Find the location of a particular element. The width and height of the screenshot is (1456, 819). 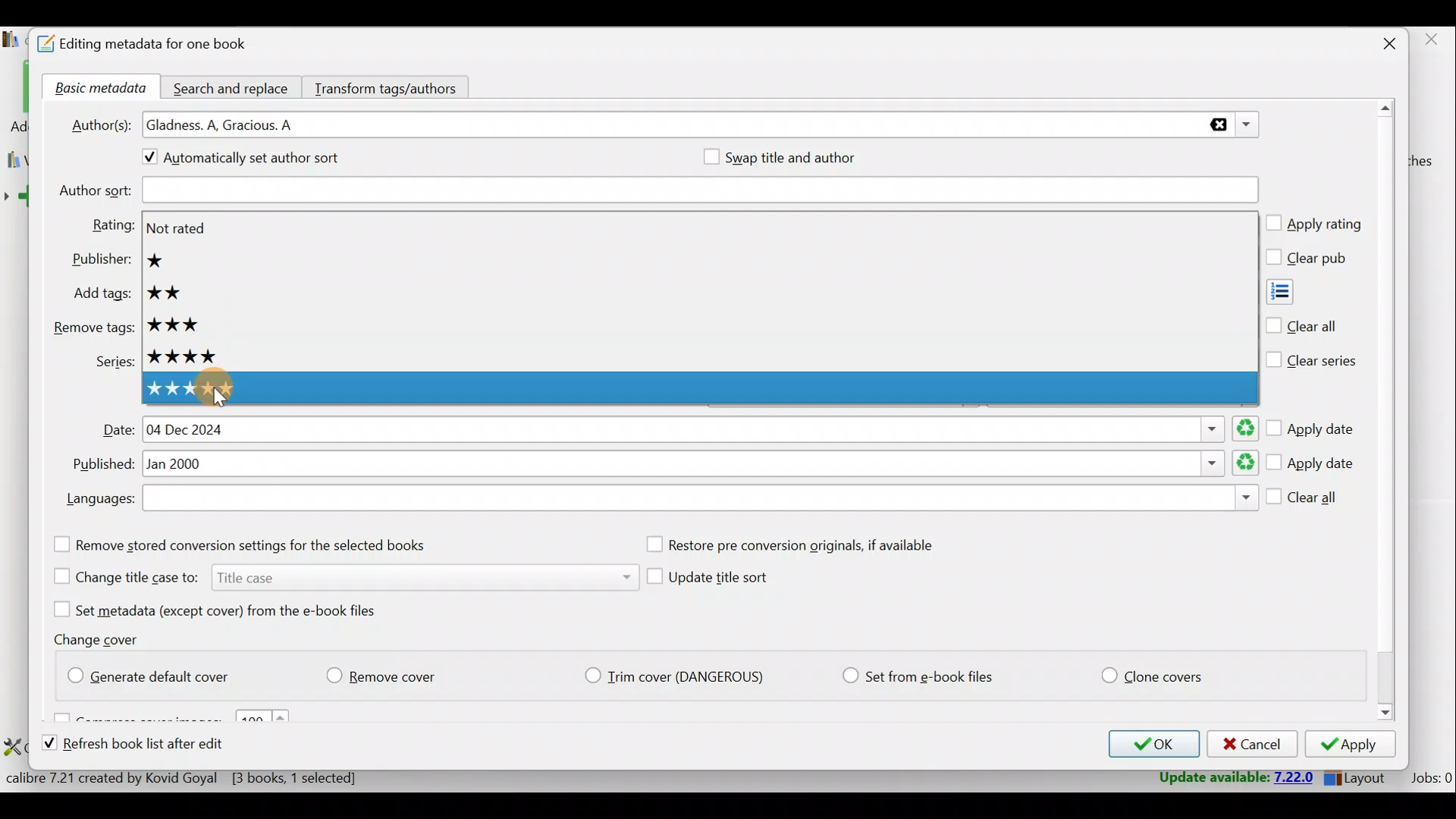

Published is located at coordinates (701, 465).